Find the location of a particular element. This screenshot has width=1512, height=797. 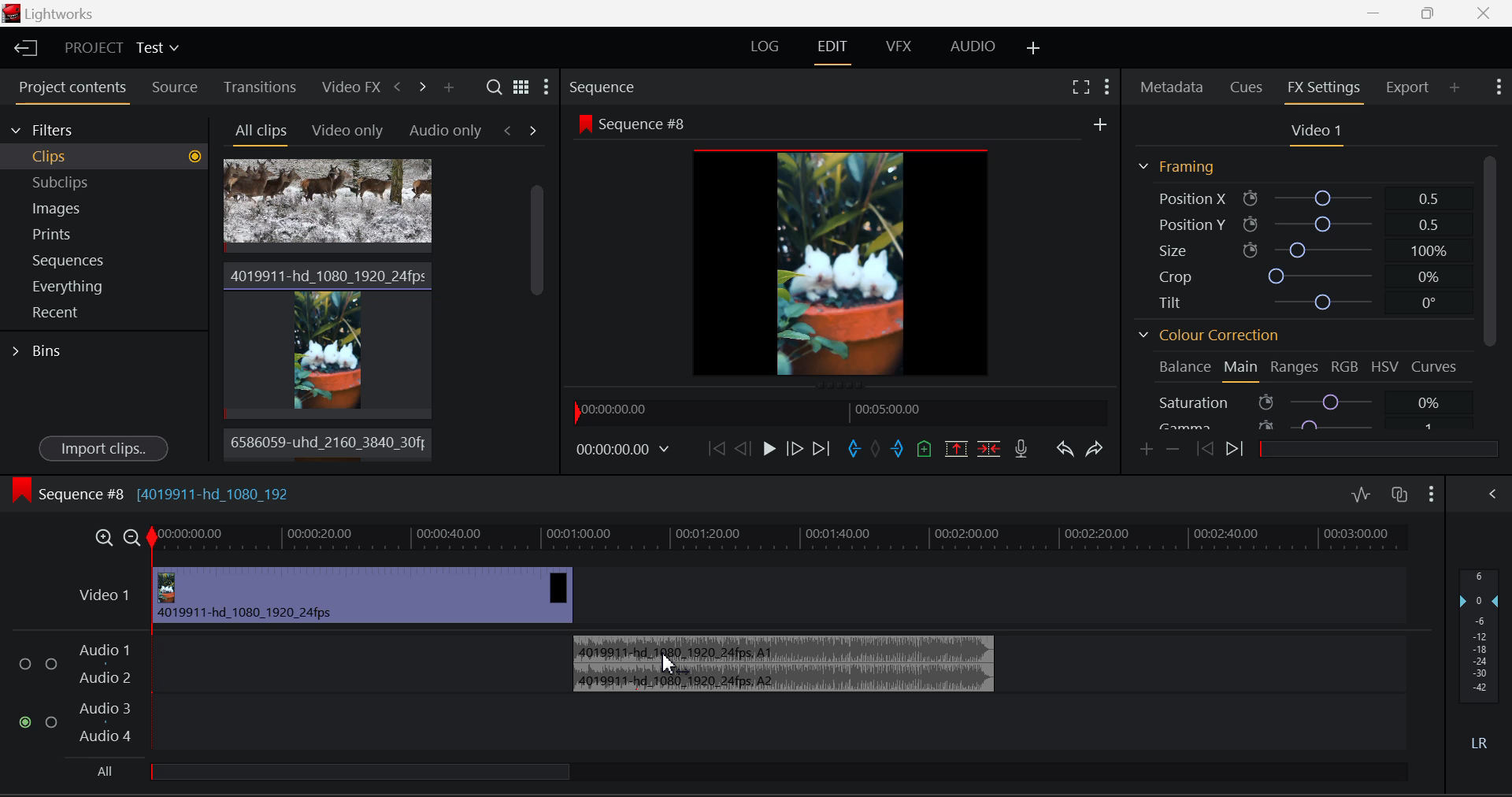

Timeline Track is located at coordinates (781, 541).